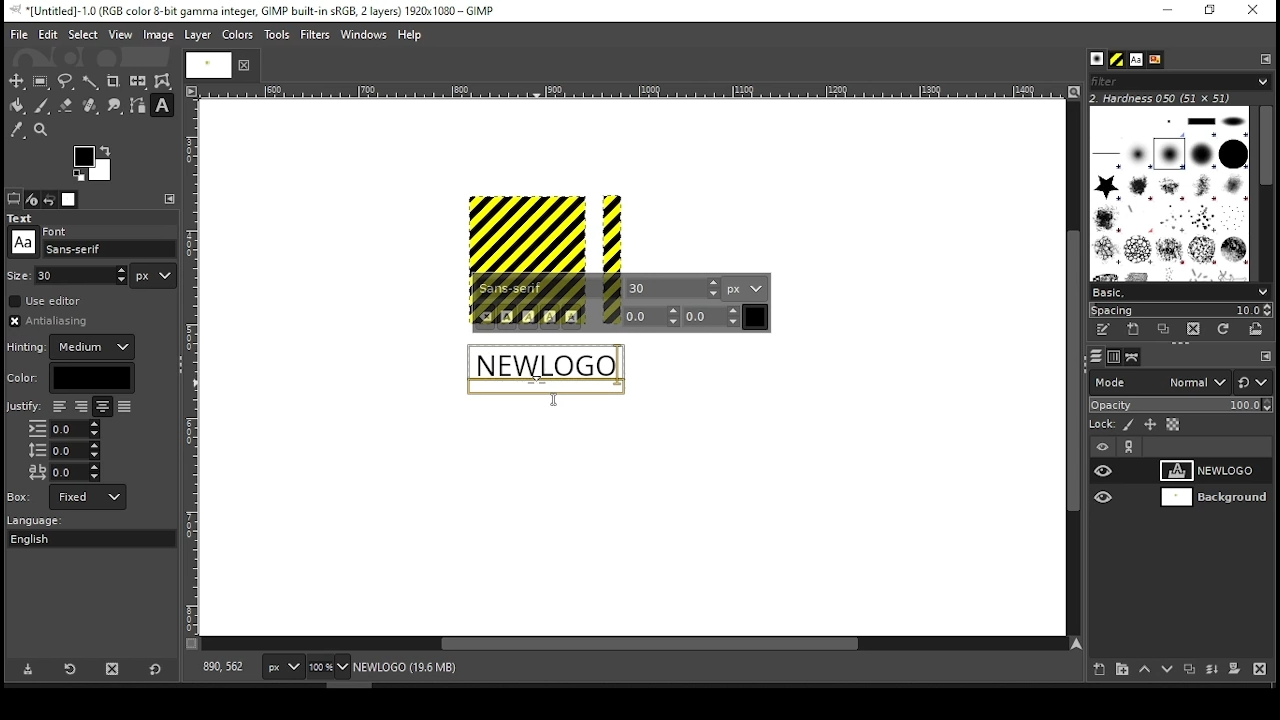  I want to click on , so click(193, 367).